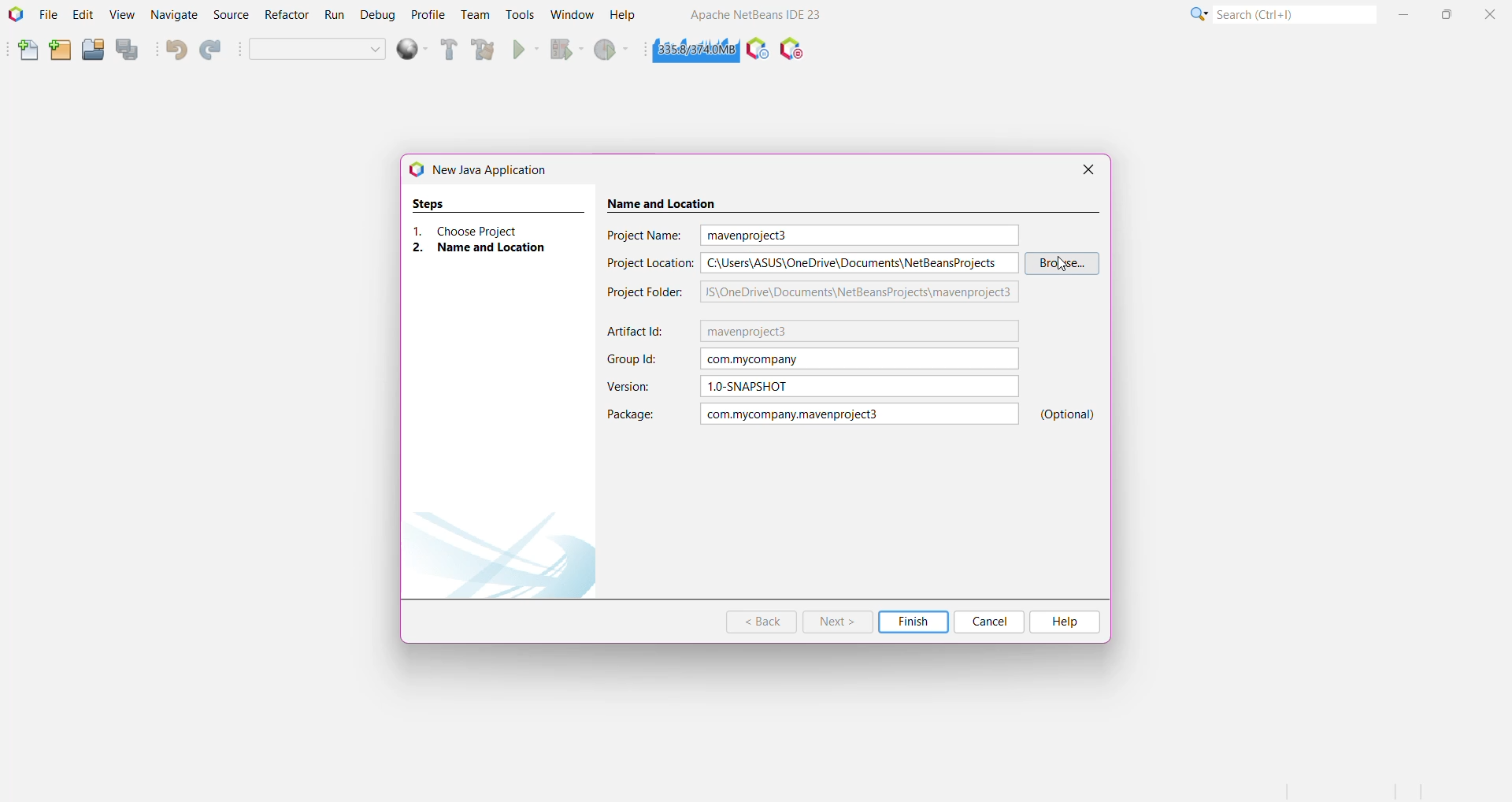 This screenshot has height=802, width=1512. What do you see at coordinates (122, 17) in the screenshot?
I see `View` at bounding box center [122, 17].